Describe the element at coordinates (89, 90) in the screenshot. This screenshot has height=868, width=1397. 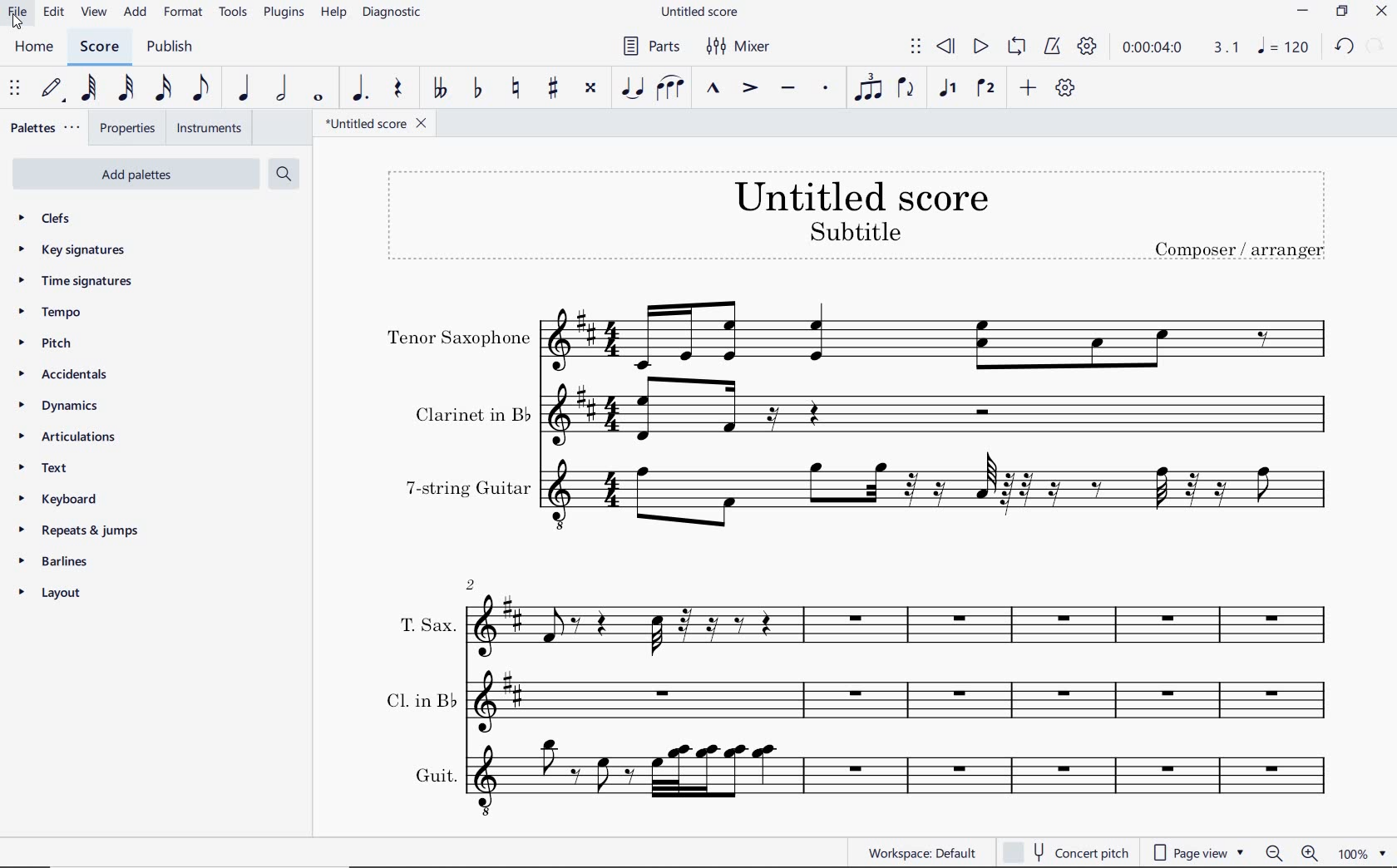
I see `64TH NOTE` at that location.